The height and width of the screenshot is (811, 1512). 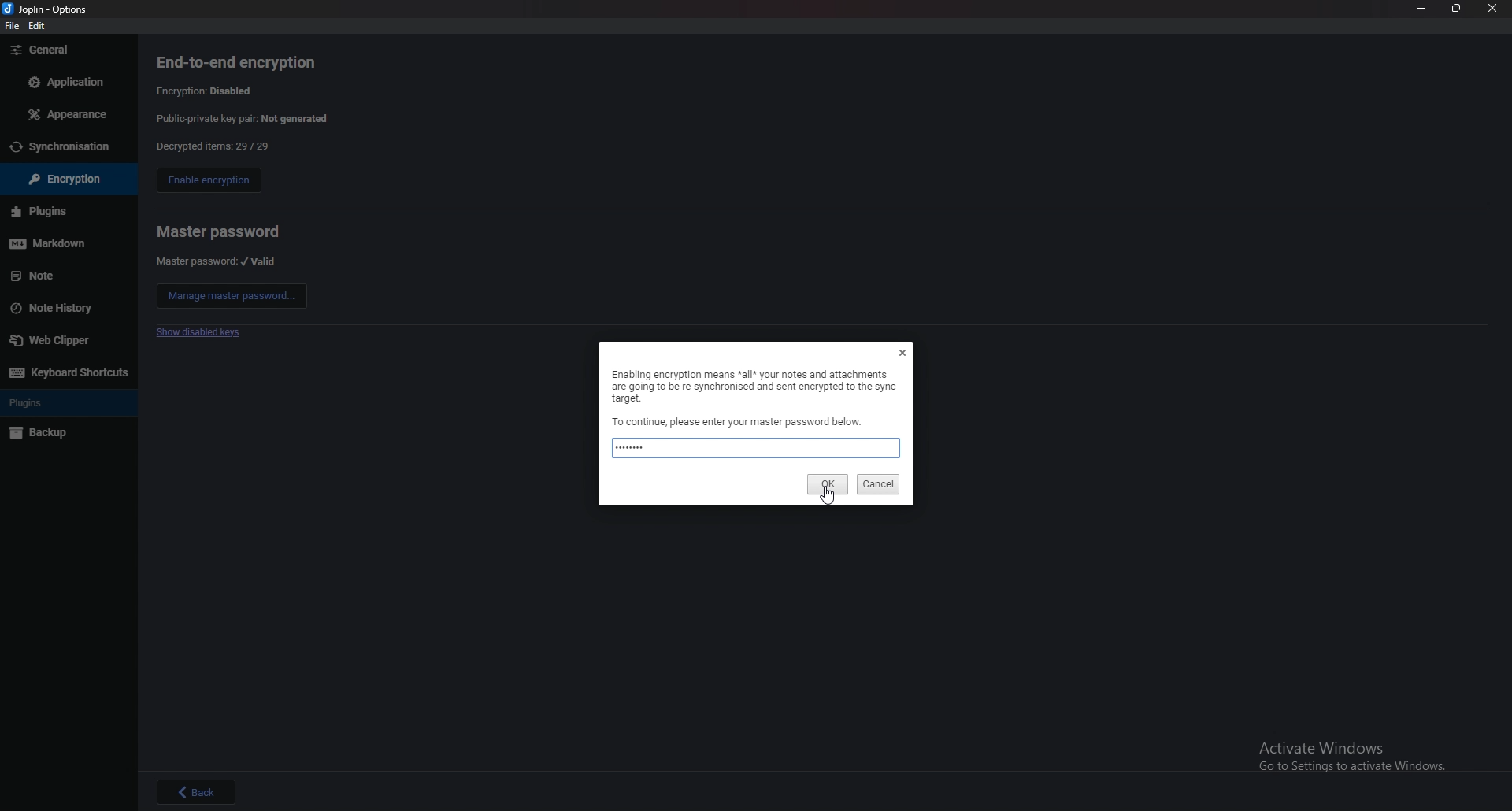 What do you see at coordinates (39, 51) in the screenshot?
I see `` at bounding box center [39, 51].